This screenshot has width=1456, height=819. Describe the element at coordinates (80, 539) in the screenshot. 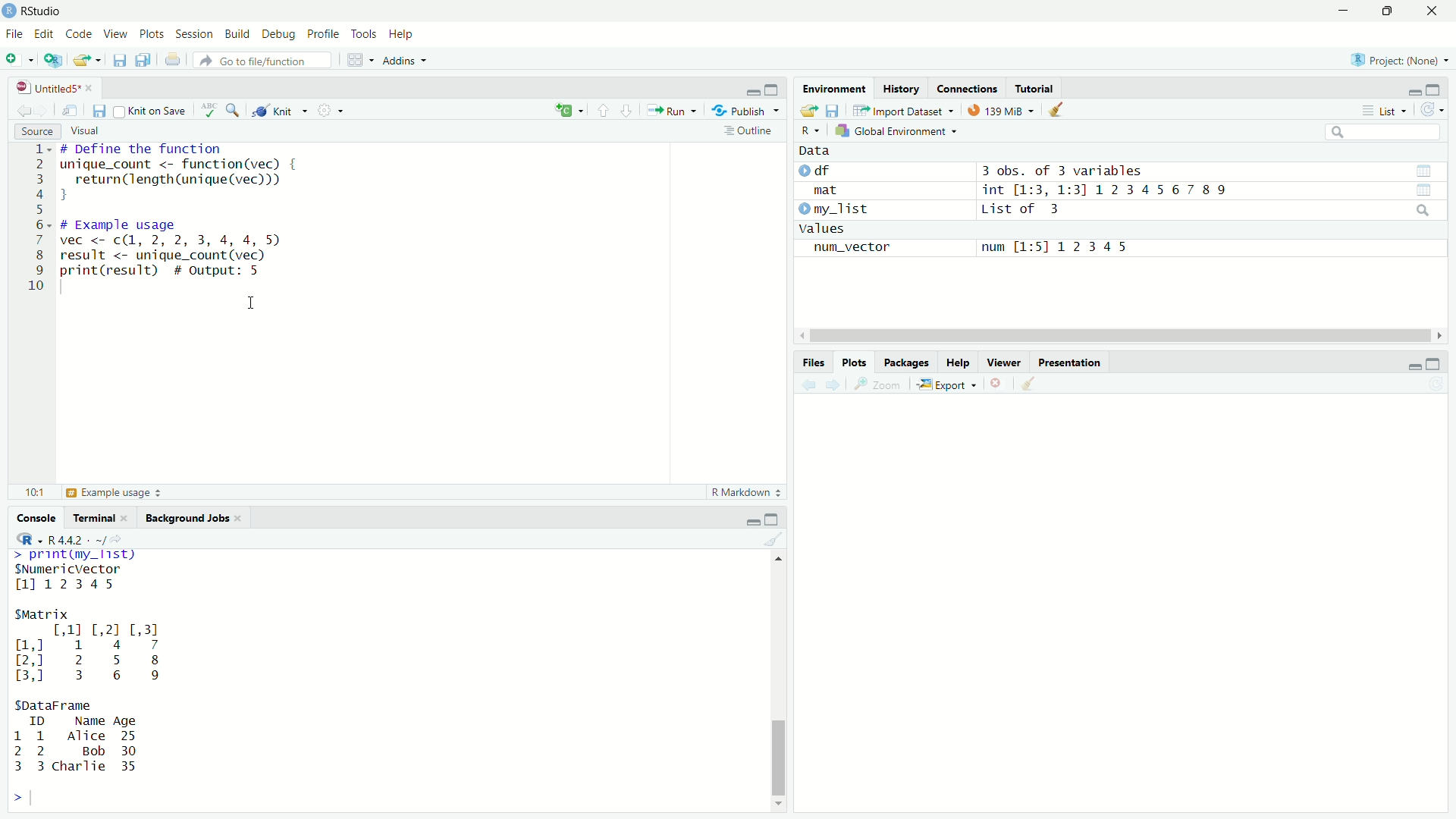

I see `R 4.4.2 . ~/` at that location.